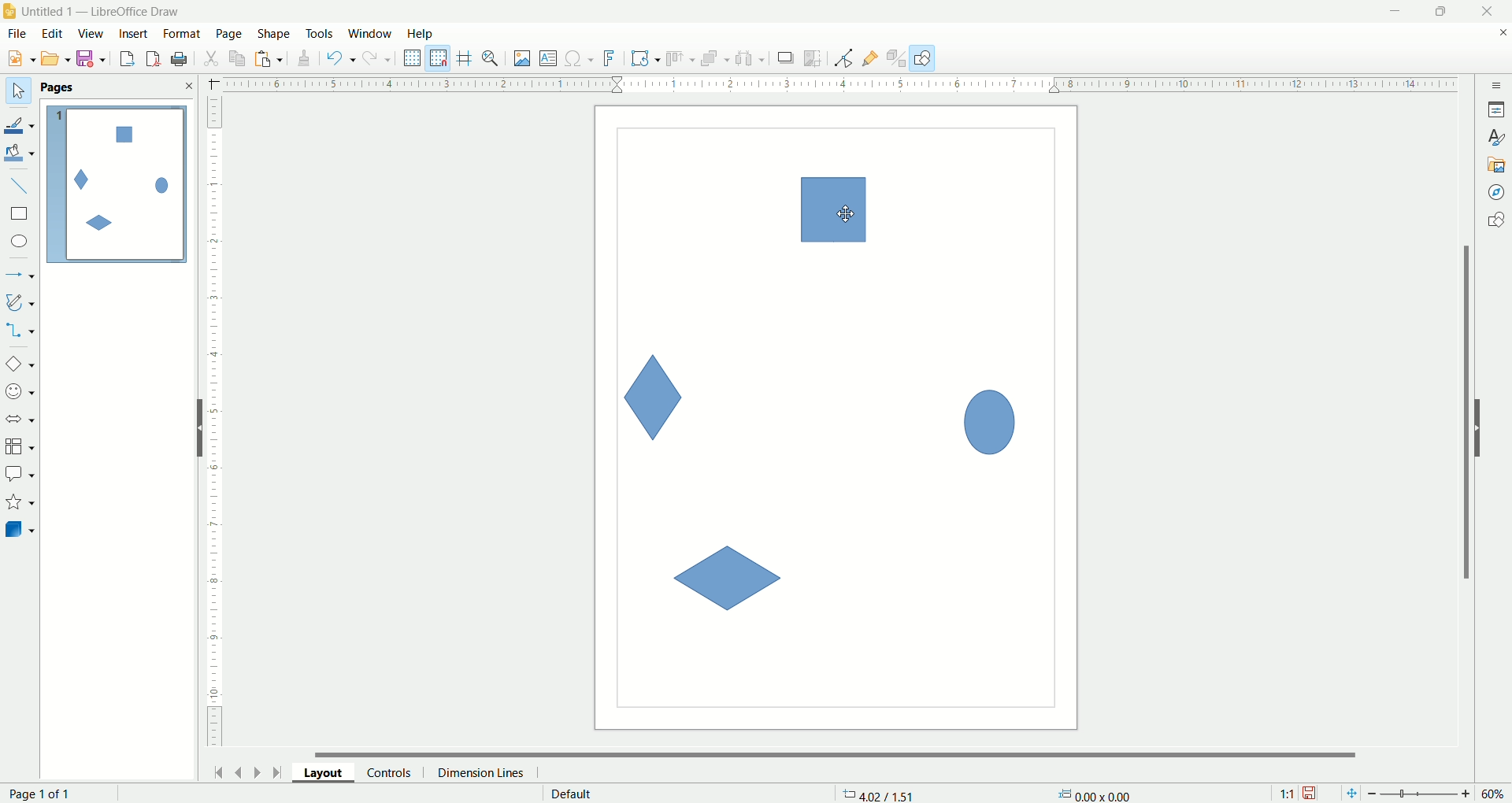 The height and width of the screenshot is (803, 1512). Describe the element at coordinates (573, 794) in the screenshot. I see `default` at that location.